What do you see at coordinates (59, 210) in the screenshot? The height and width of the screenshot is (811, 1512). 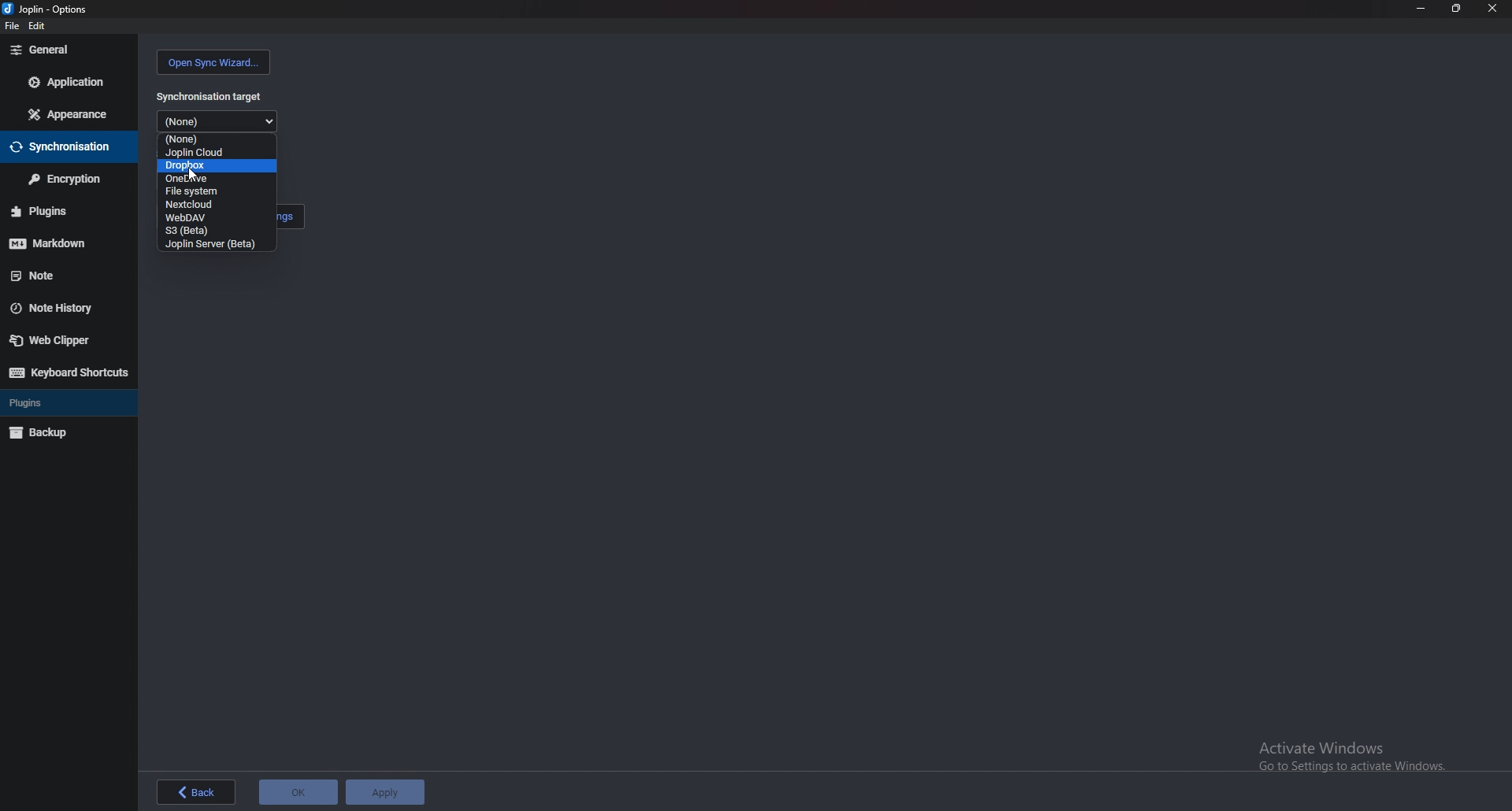 I see `plugins` at bounding box center [59, 210].